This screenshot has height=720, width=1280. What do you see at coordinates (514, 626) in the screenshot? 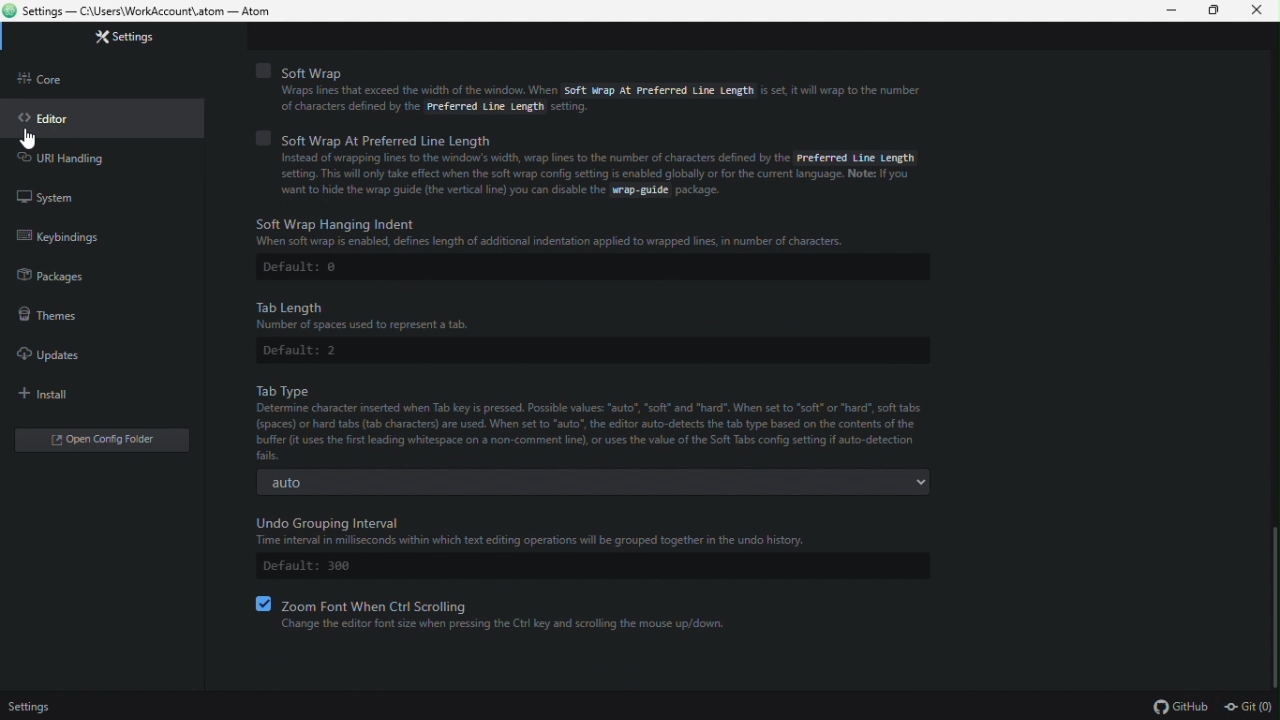
I see `‘Change the editor font size when pressing the Ctrl key and scrolling the mouse up/down.` at bounding box center [514, 626].